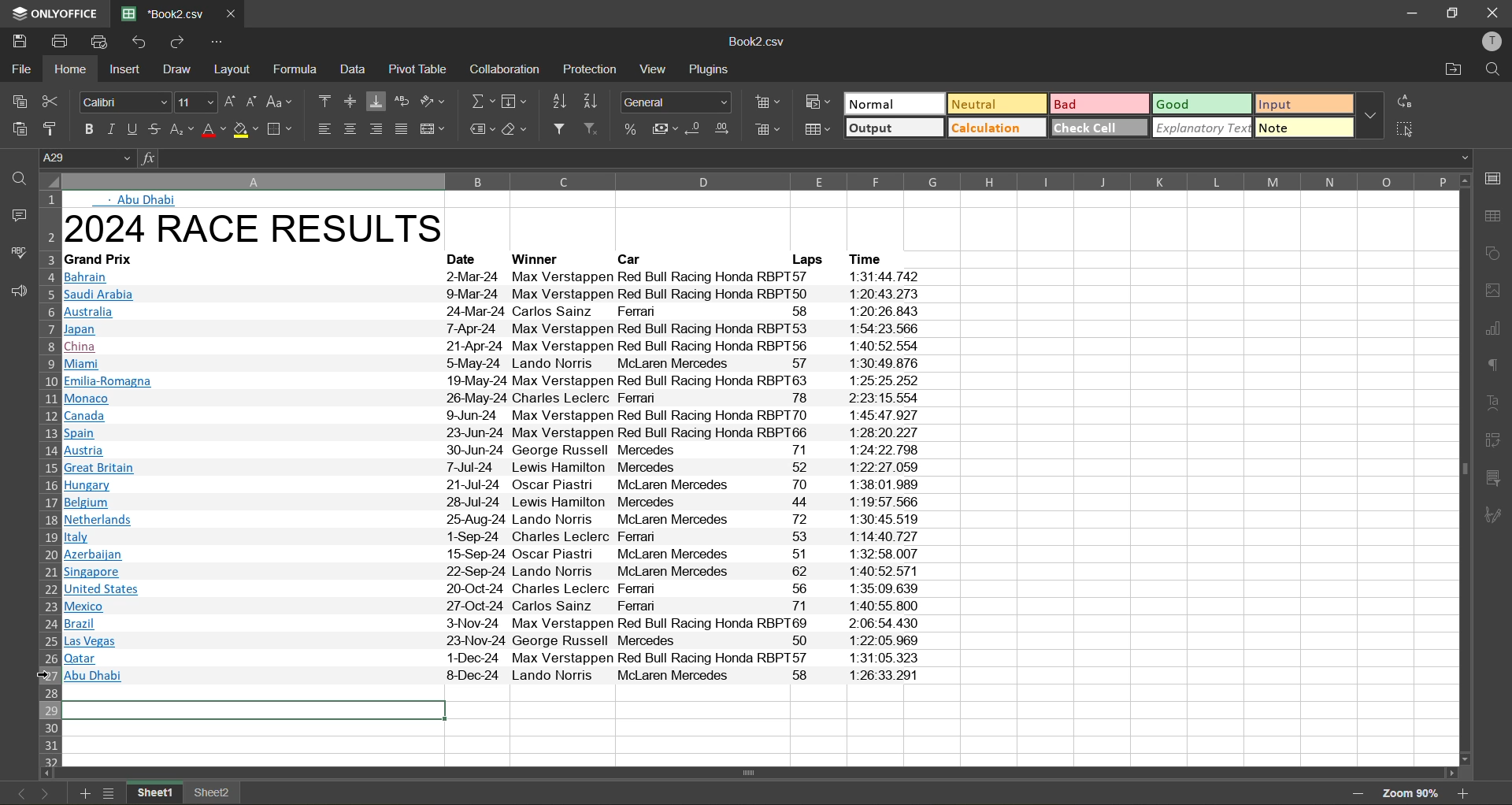 Image resolution: width=1512 pixels, height=805 pixels. Describe the element at coordinates (435, 129) in the screenshot. I see `merge and center` at that location.